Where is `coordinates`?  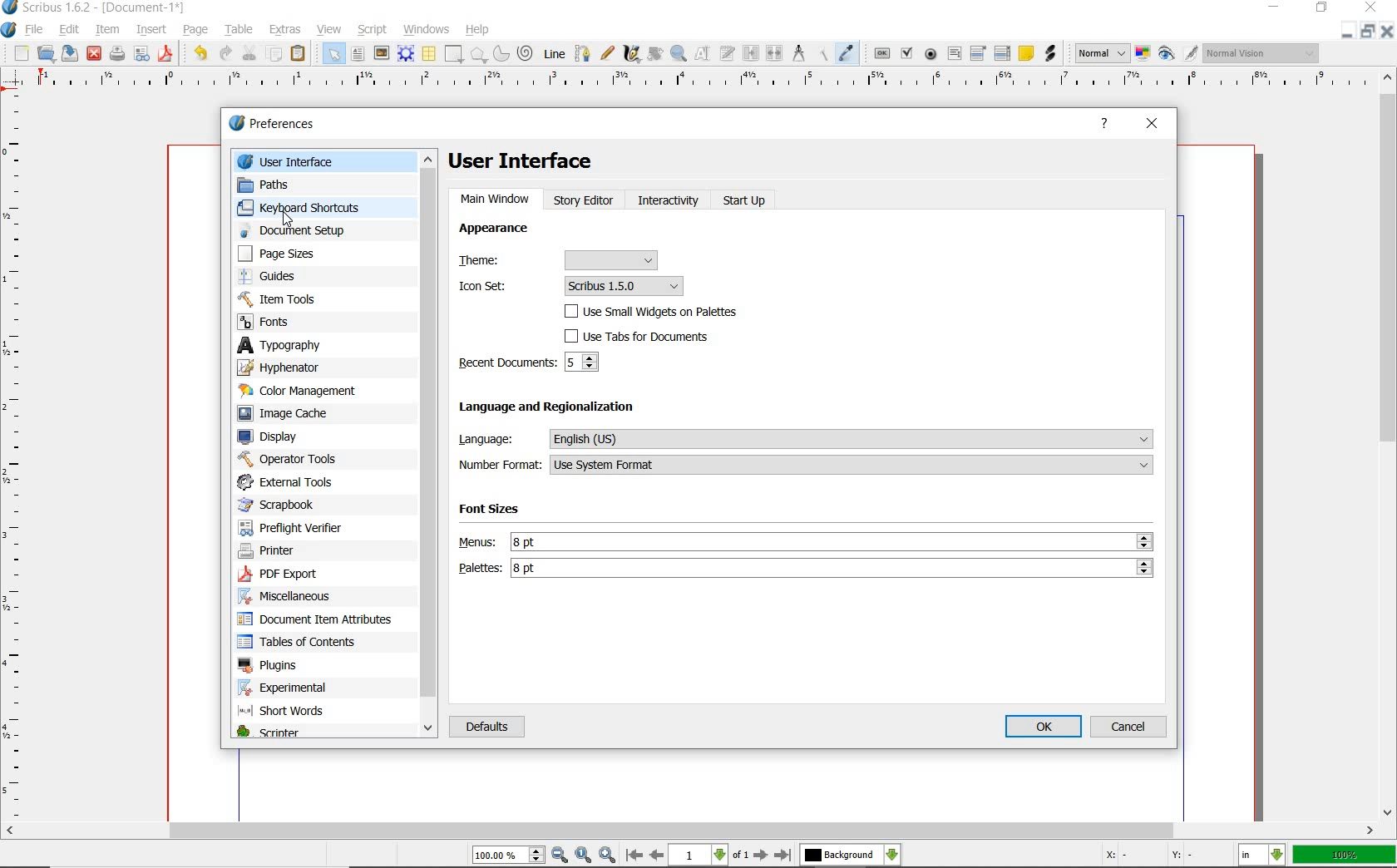
coordinates is located at coordinates (1156, 858).